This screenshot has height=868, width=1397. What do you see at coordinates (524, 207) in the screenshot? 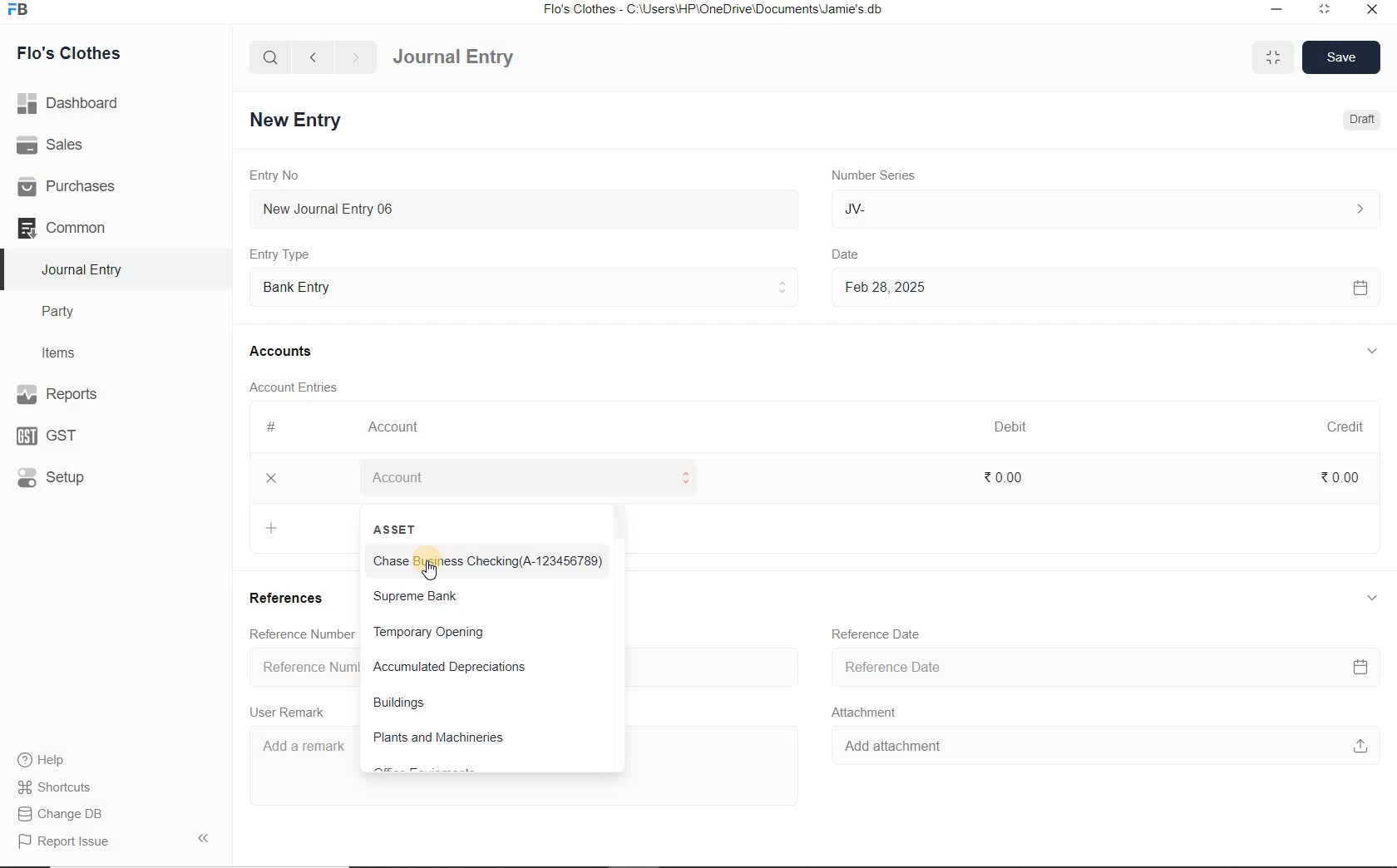
I see `New Journal Entry 06` at bounding box center [524, 207].